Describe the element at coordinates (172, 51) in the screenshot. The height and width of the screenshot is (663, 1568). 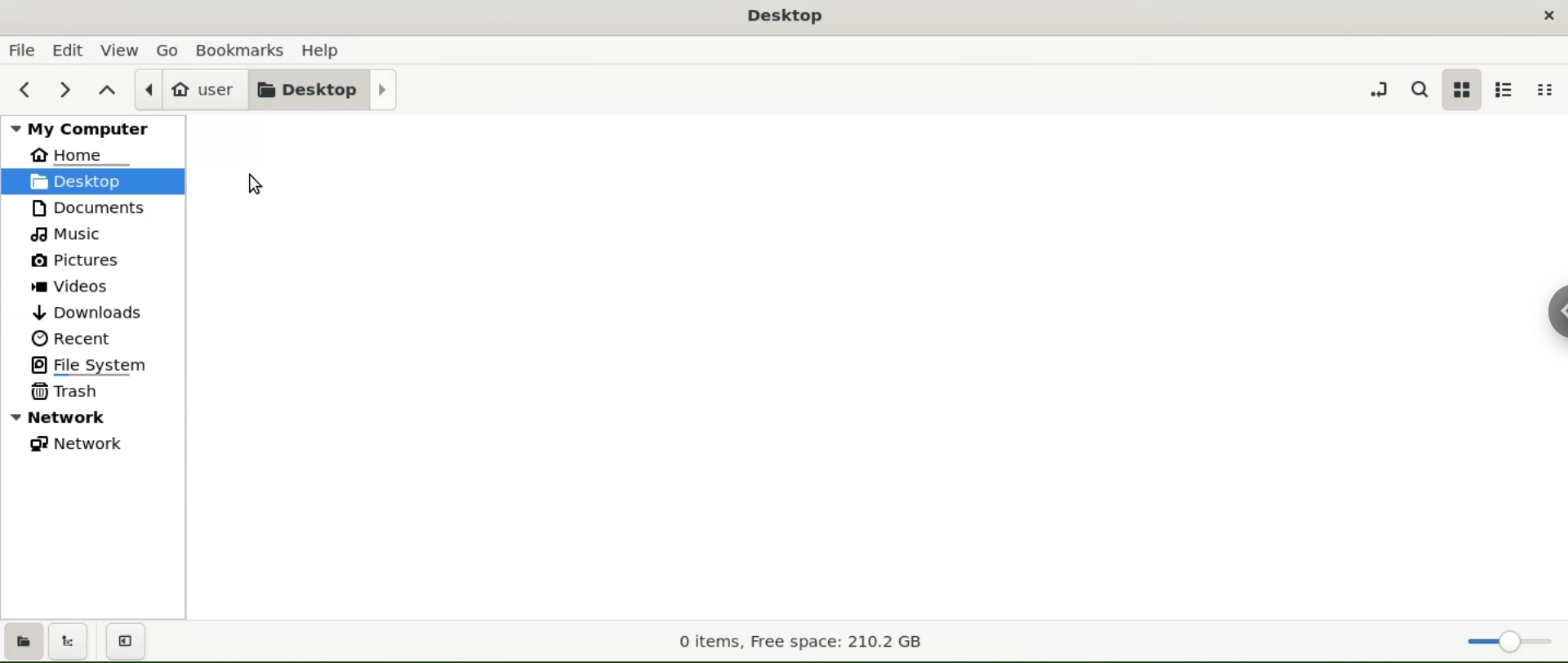
I see `go` at that location.